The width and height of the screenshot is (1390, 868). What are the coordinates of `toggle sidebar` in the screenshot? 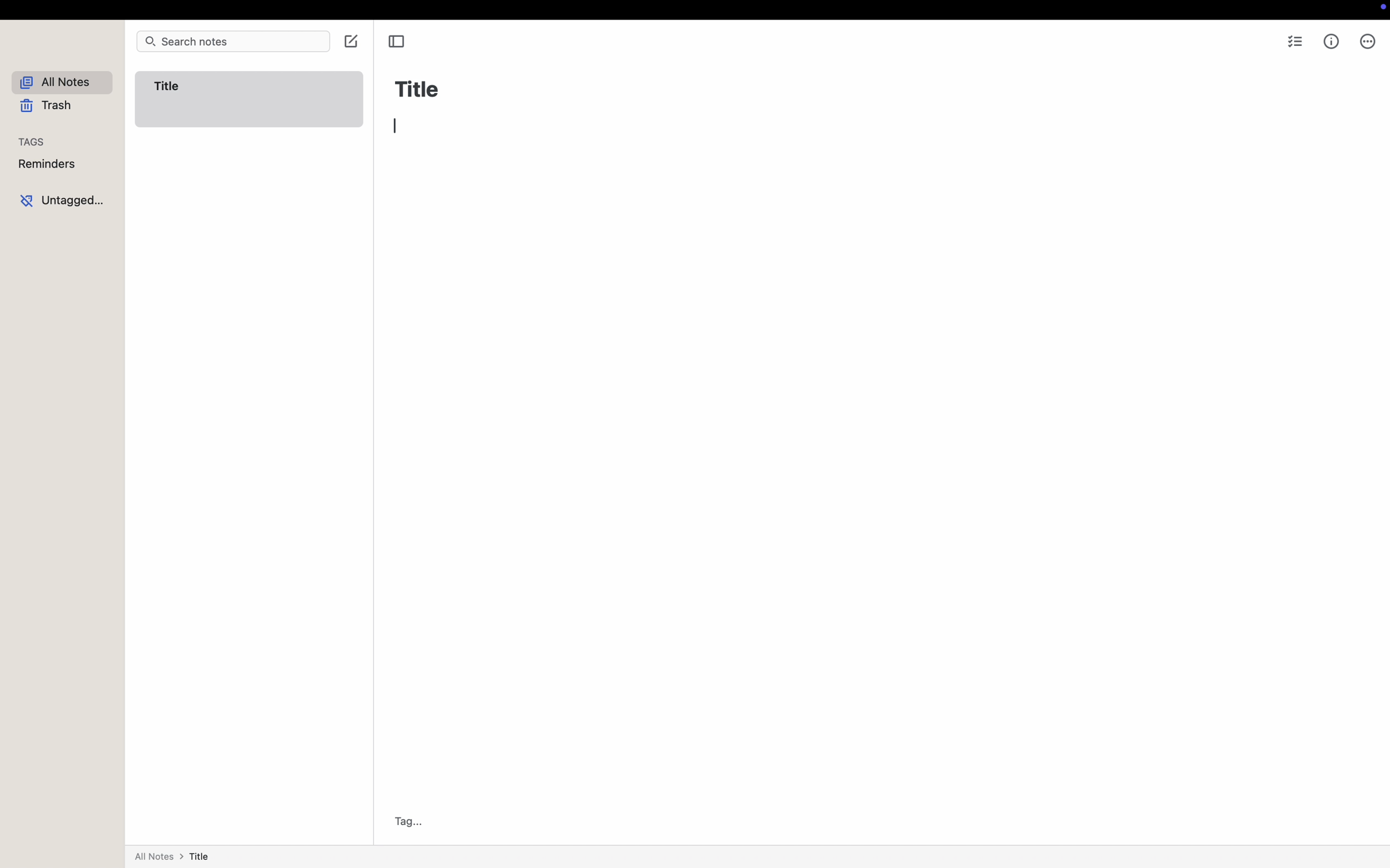 It's located at (396, 42).